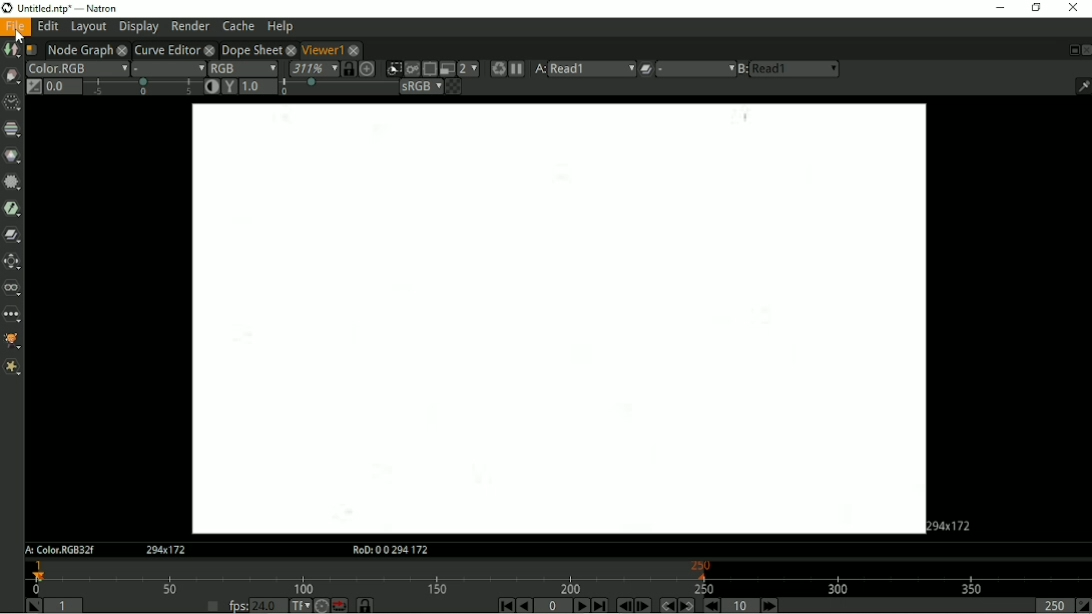 The width and height of the screenshot is (1092, 614). What do you see at coordinates (496, 69) in the screenshot?
I see `Forces a new render of the current frame` at bounding box center [496, 69].